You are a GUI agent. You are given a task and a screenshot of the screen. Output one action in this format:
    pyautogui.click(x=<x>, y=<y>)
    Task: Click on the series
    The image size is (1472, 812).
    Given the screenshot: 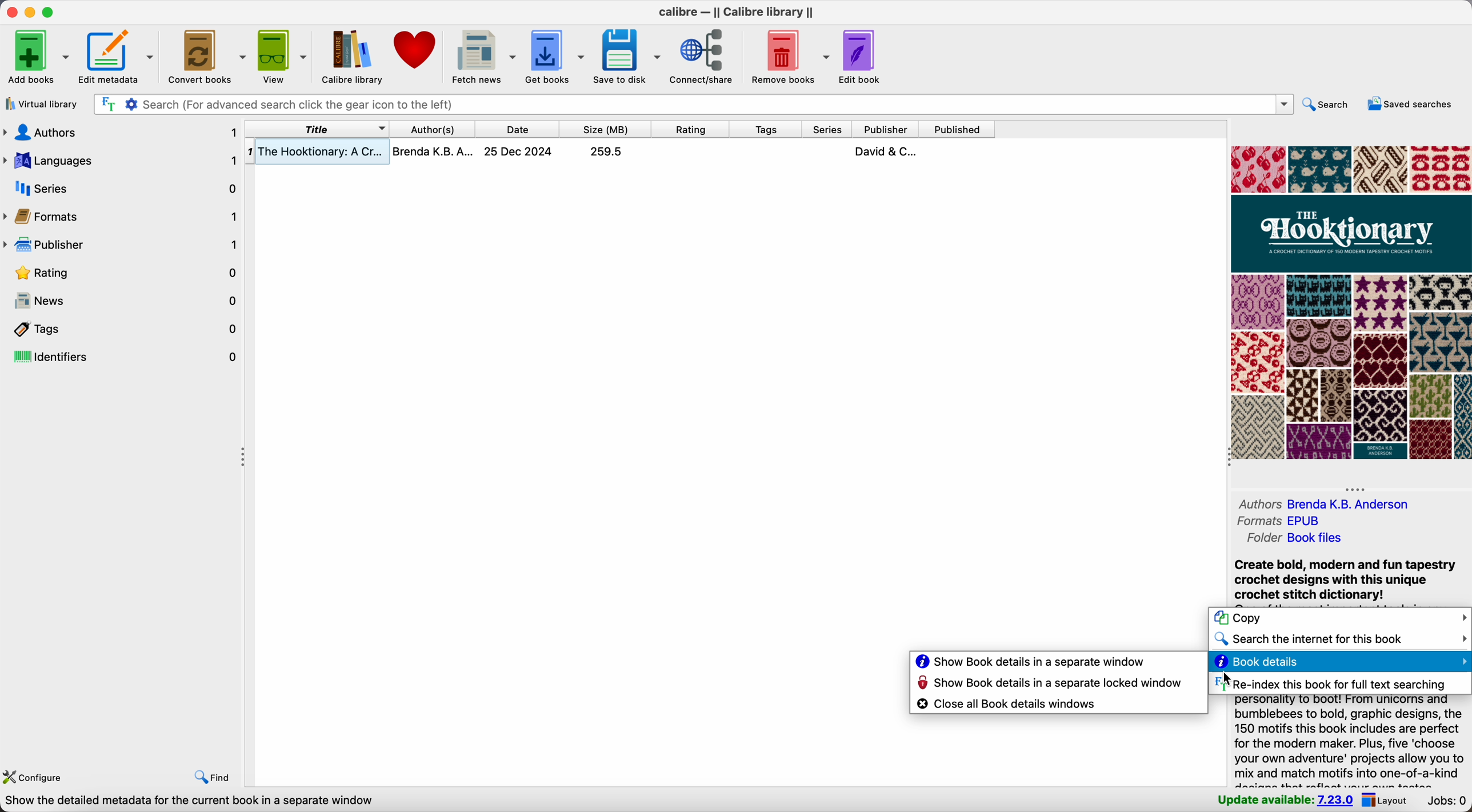 What is the action you would take?
    pyautogui.click(x=825, y=129)
    